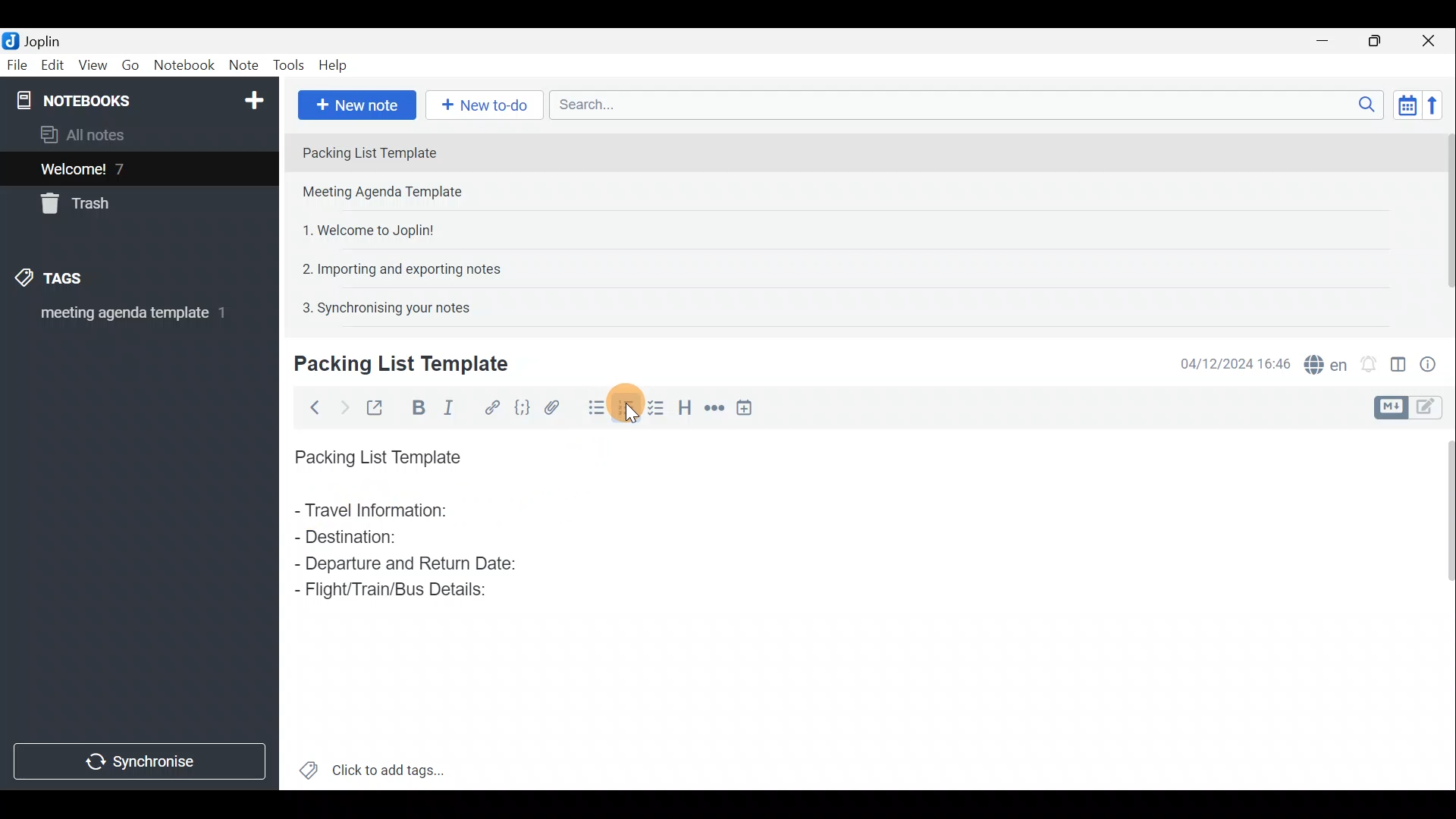 This screenshot has height=819, width=1456. I want to click on Scroll bar, so click(1442, 221).